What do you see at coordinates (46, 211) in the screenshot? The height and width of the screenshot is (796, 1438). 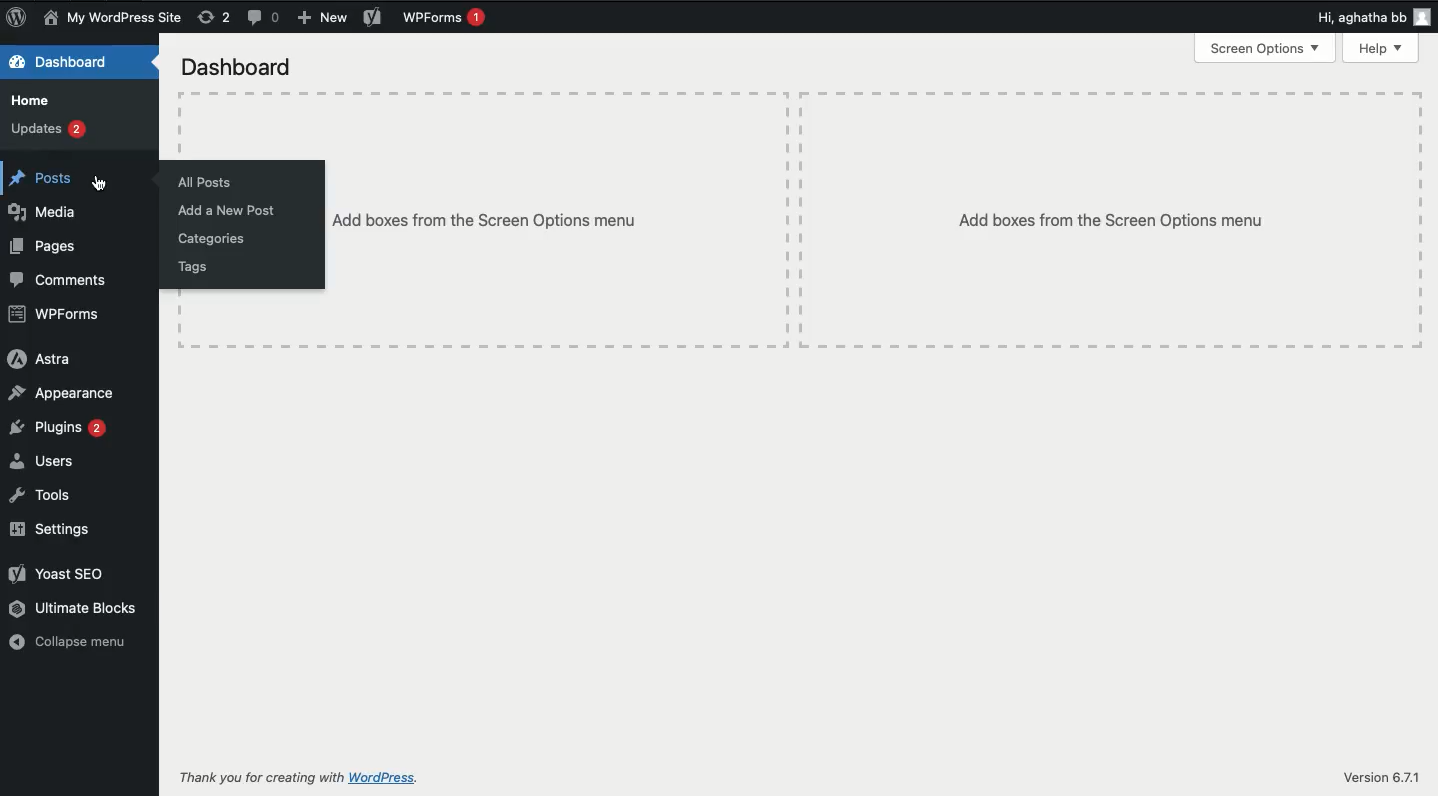 I see `Media` at bounding box center [46, 211].